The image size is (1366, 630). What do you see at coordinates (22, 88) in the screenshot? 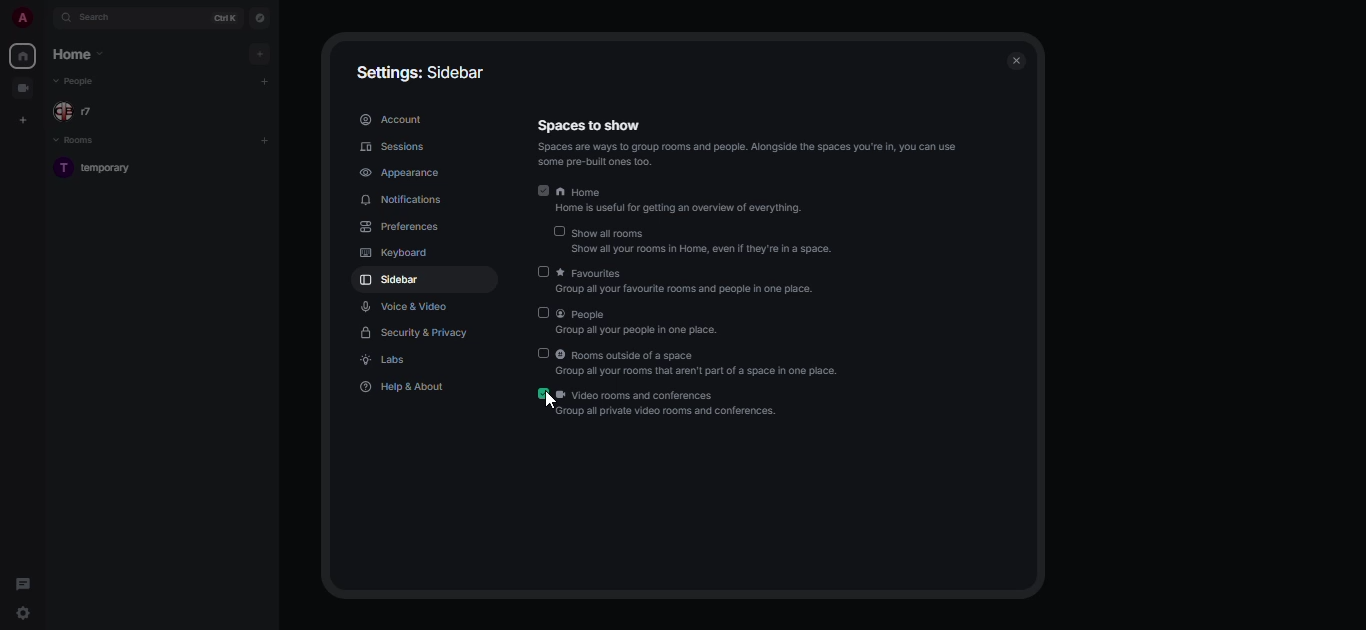
I see `video group` at bounding box center [22, 88].